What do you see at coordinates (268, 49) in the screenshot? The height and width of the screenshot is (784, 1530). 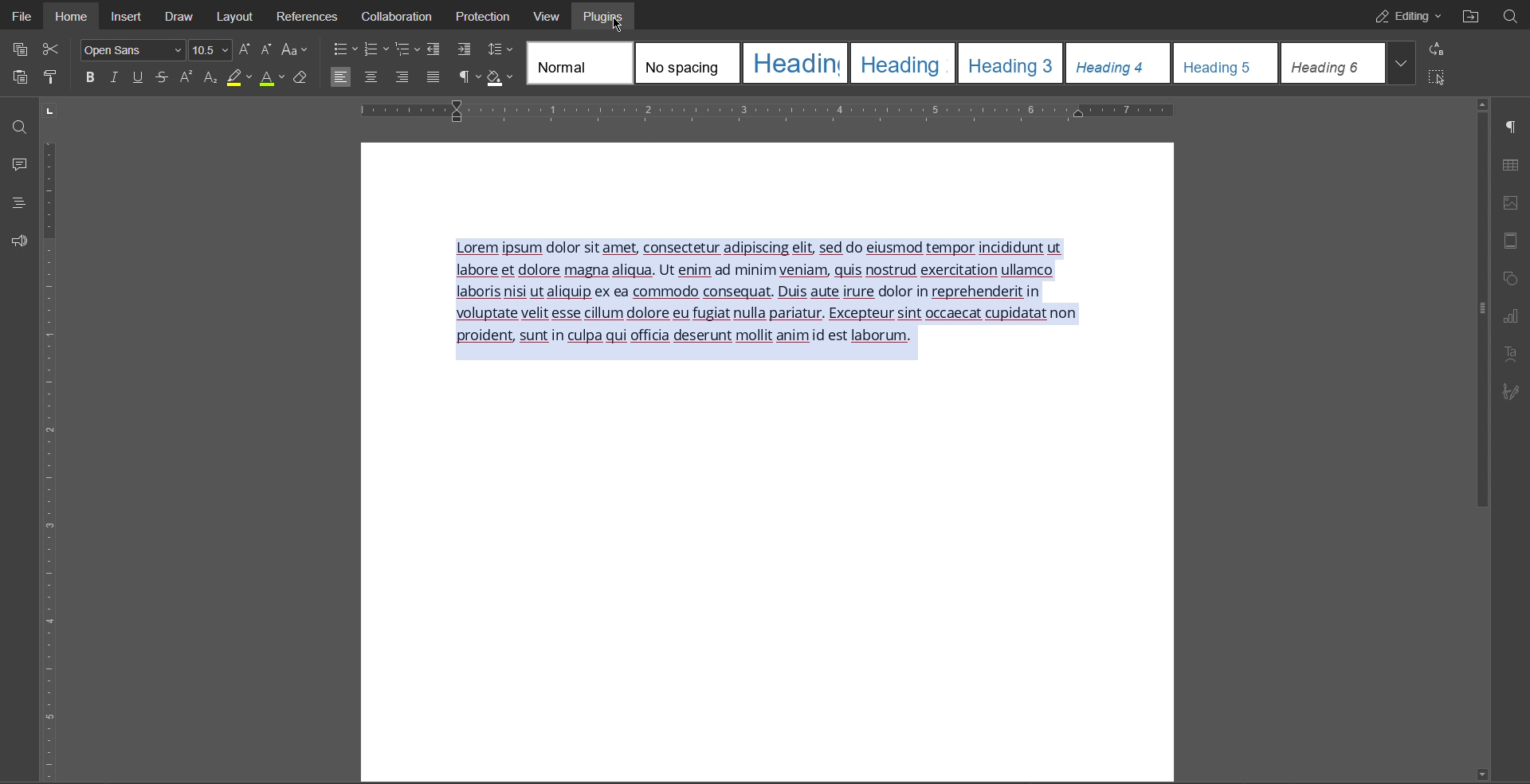 I see `Decrease Size` at bounding box center [268, 49].